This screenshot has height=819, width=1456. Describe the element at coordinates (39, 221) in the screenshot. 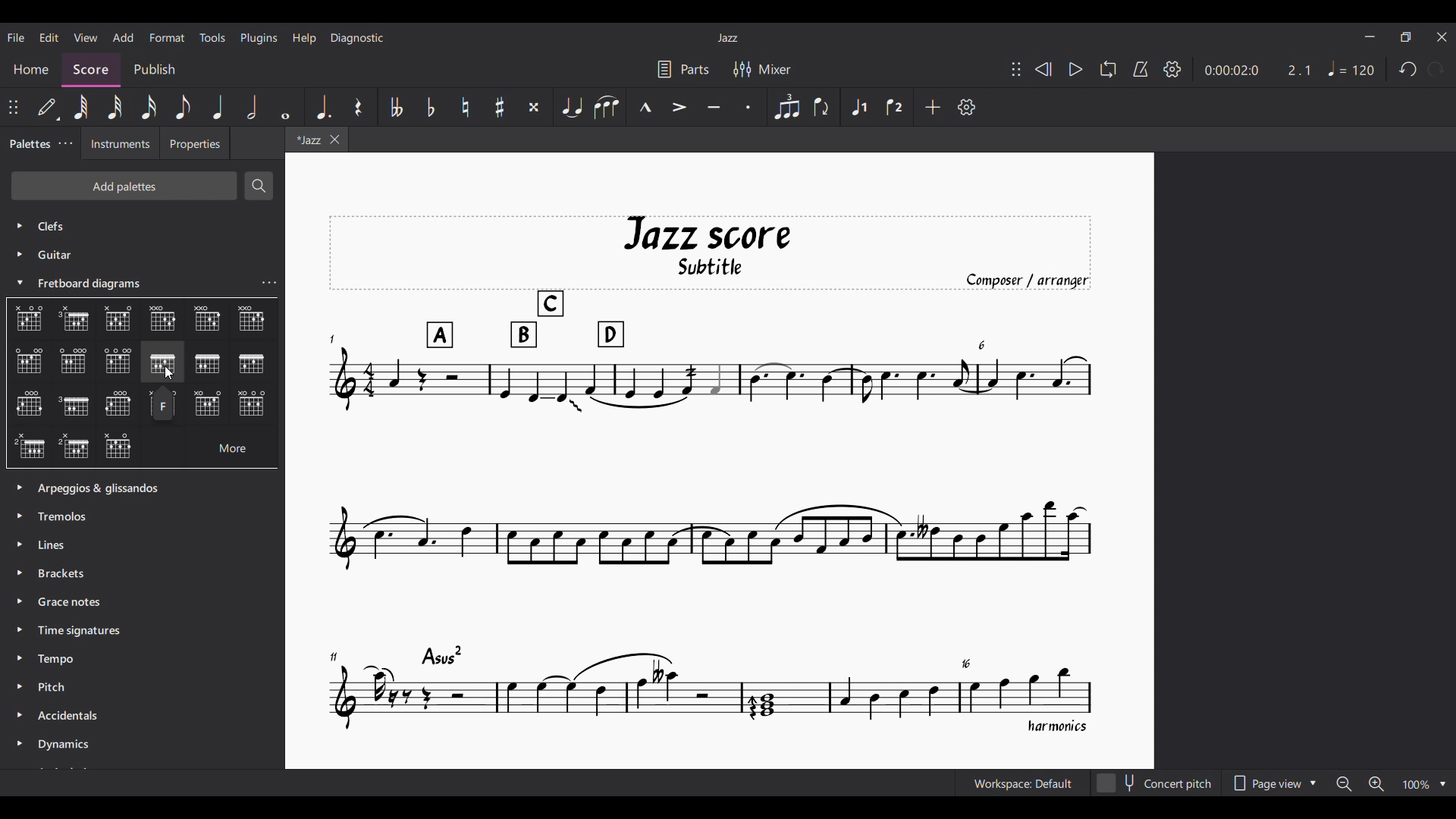

I see `Cliff` at that location.